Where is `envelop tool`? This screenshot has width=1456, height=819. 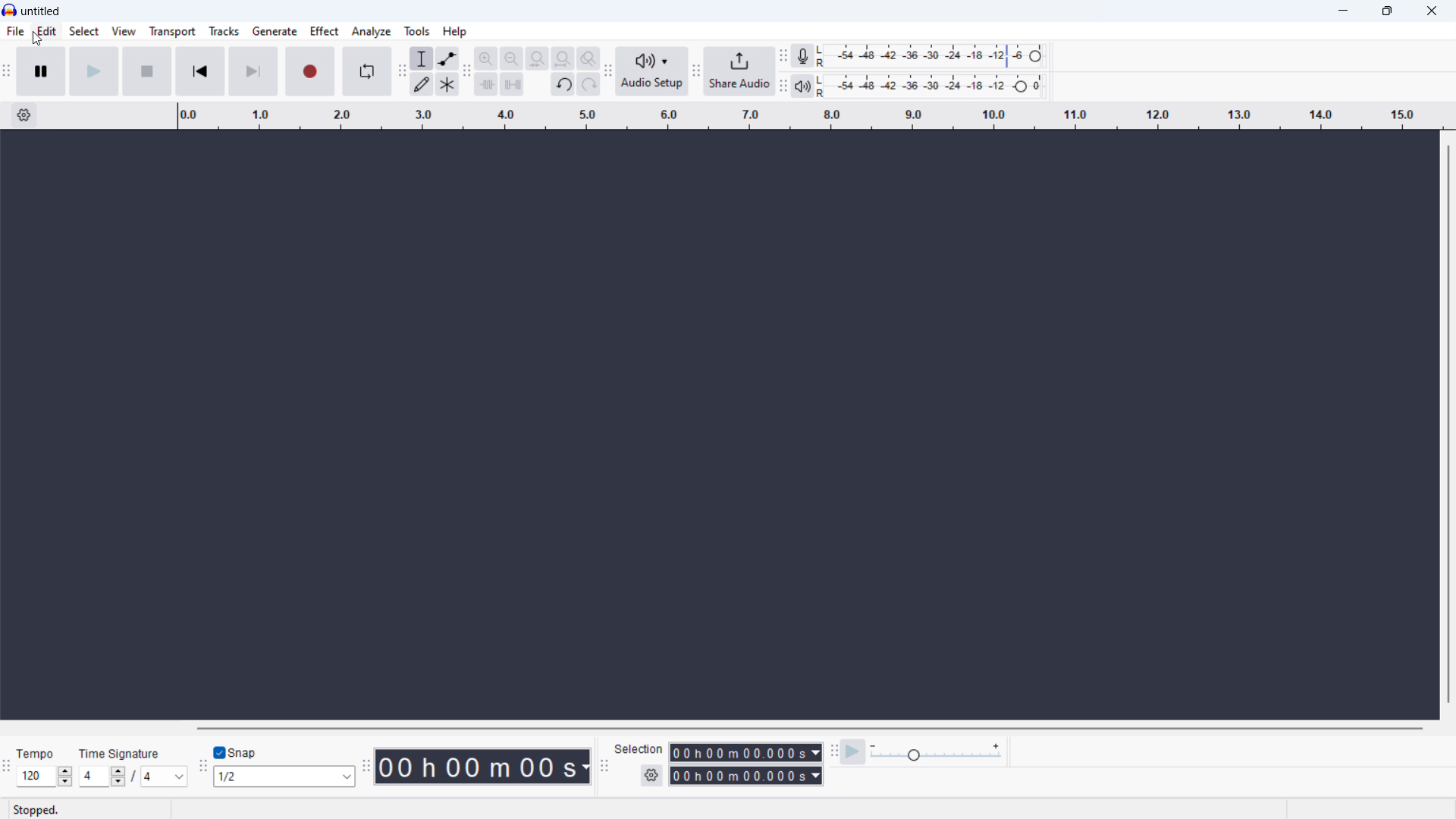
envelop tool is located at coordinates (447, 58).